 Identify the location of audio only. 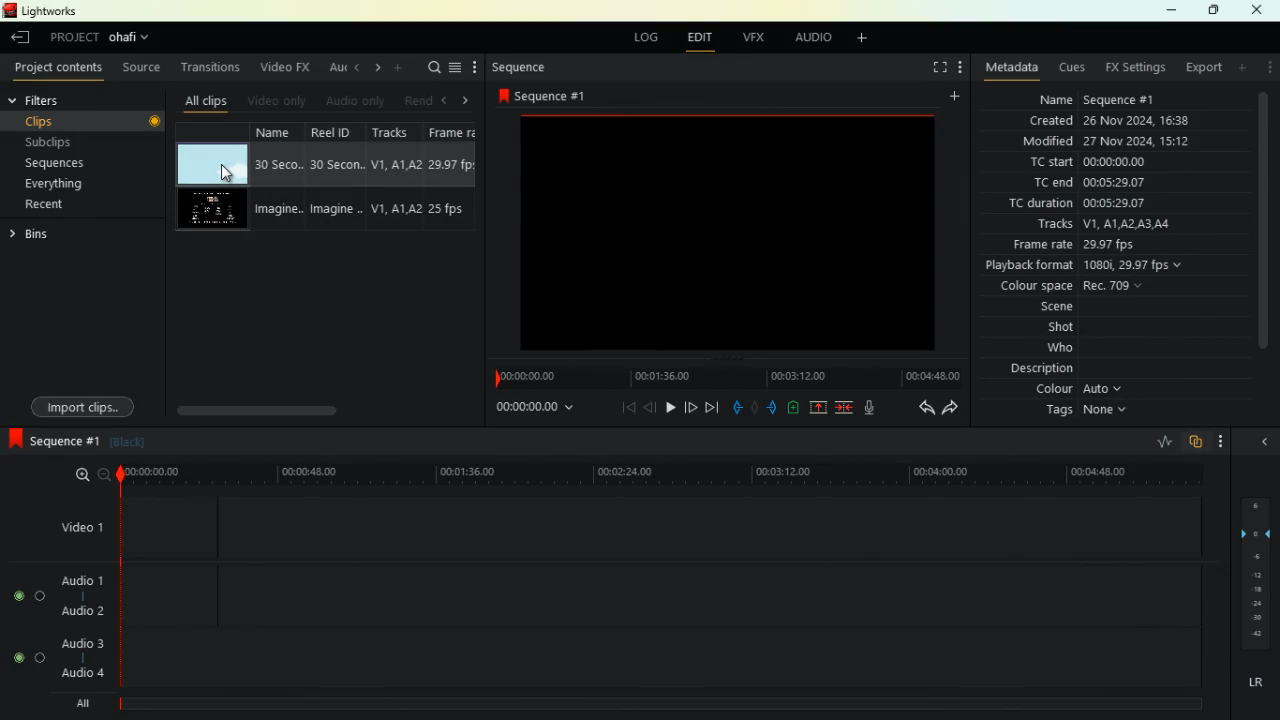
(357, 101).